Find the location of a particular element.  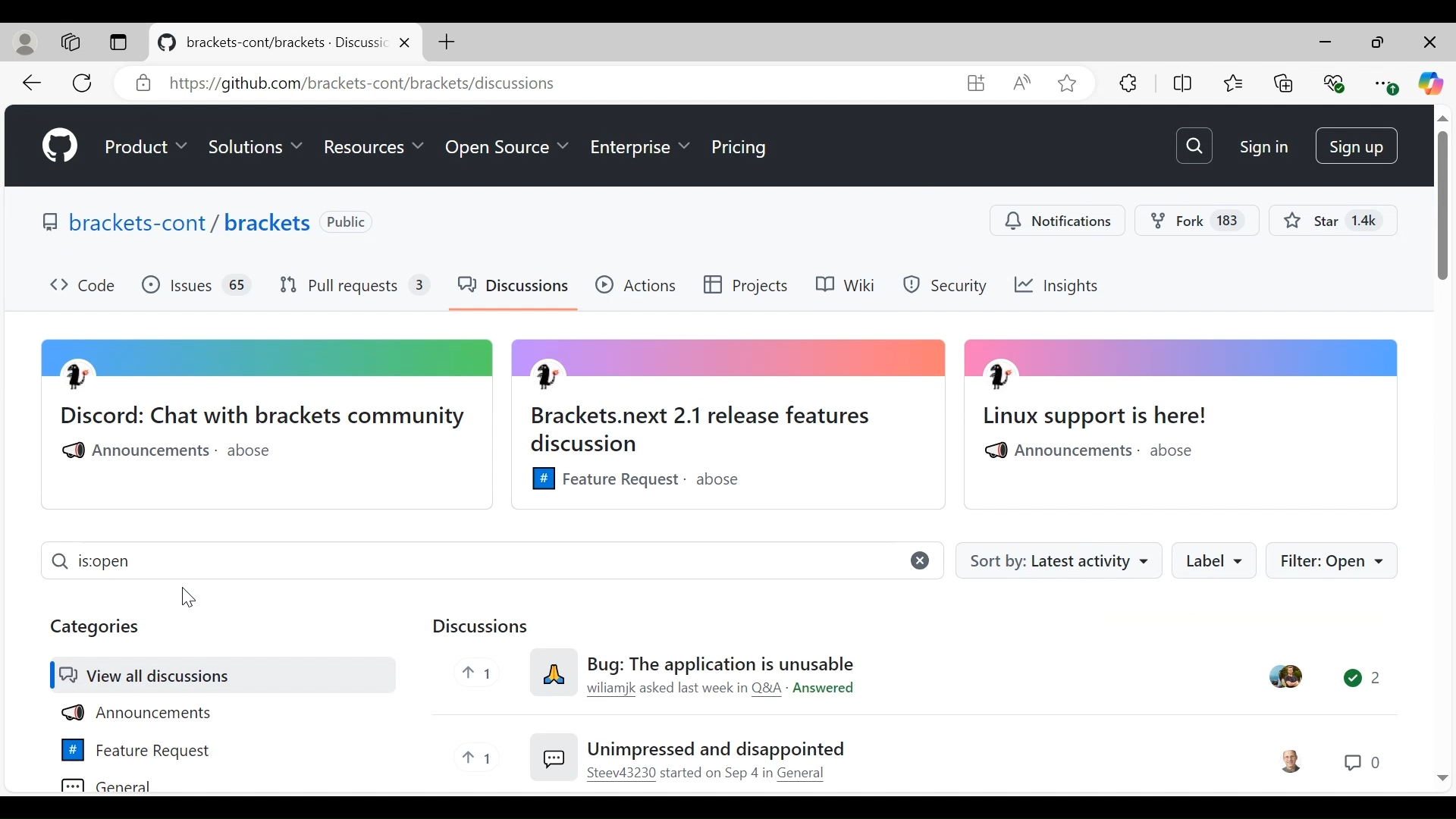

Sign Up is located at coordinates (1358, 145).